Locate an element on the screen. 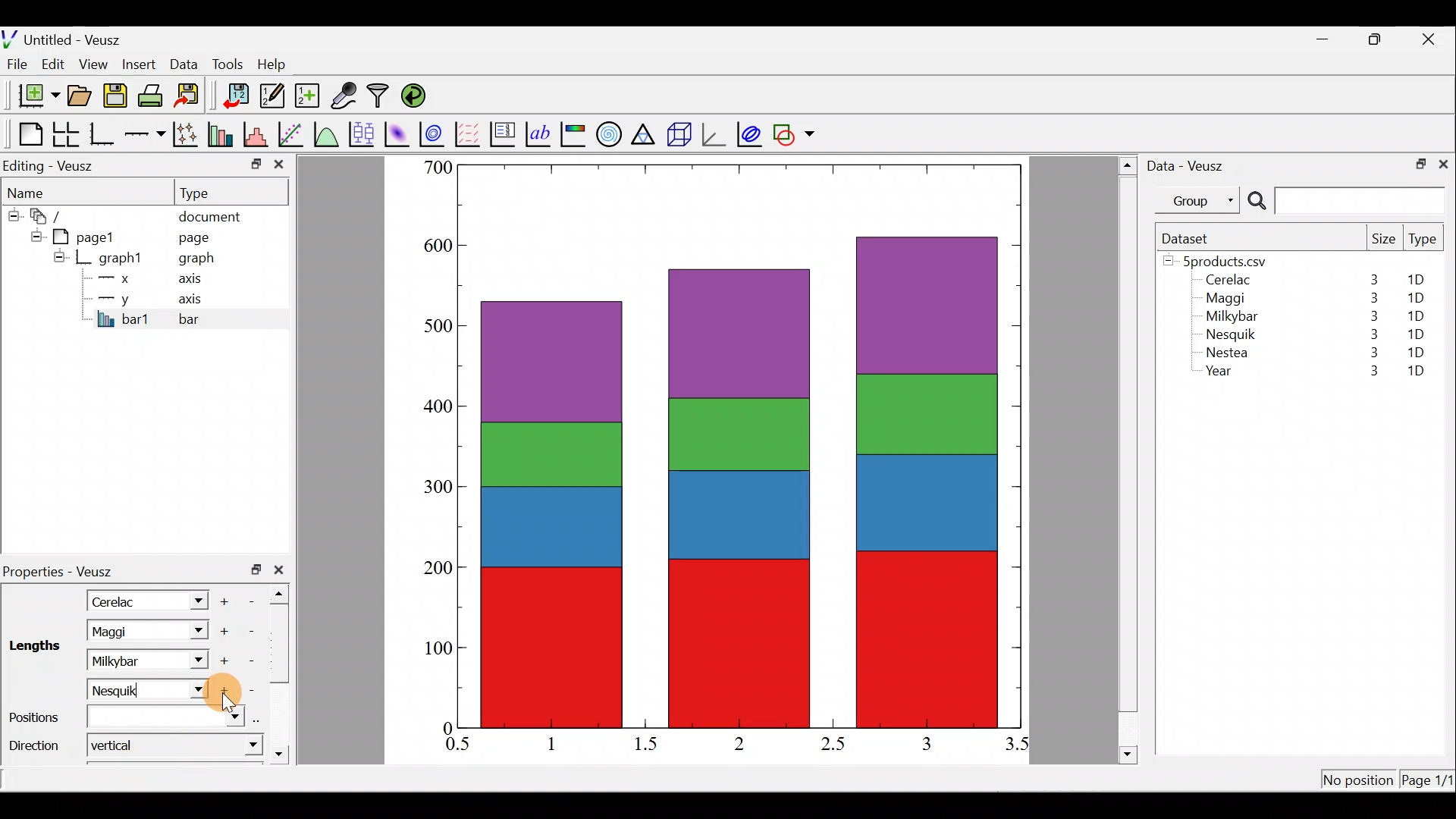 Image resolution: width=1456 pixels, height=819 pixels. Filter data is located at coordinates (381, 97).